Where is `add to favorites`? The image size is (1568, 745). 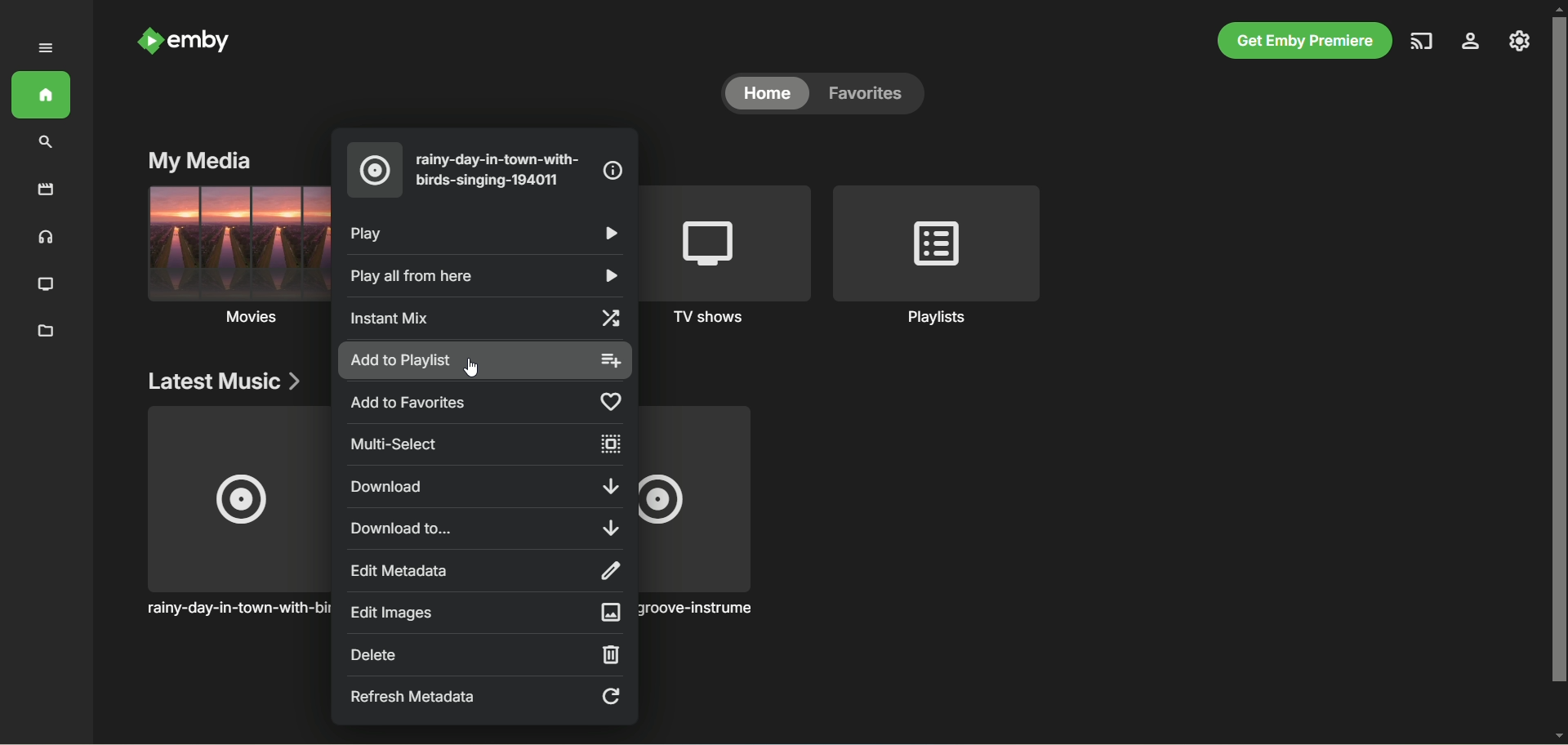
add to favorites is located at coordinates (484, 403).